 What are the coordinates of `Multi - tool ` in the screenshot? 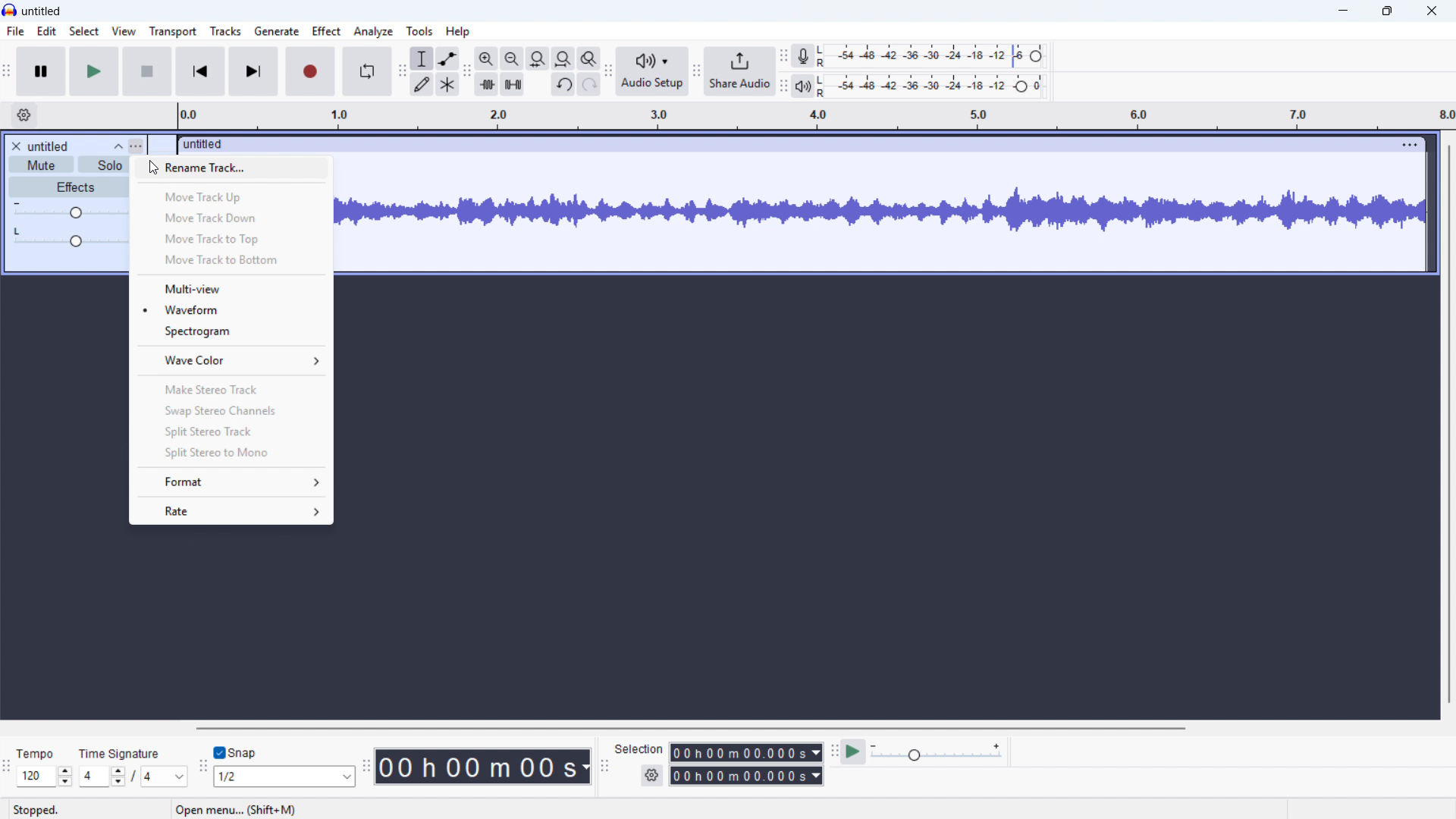 It's located at (448, 84).